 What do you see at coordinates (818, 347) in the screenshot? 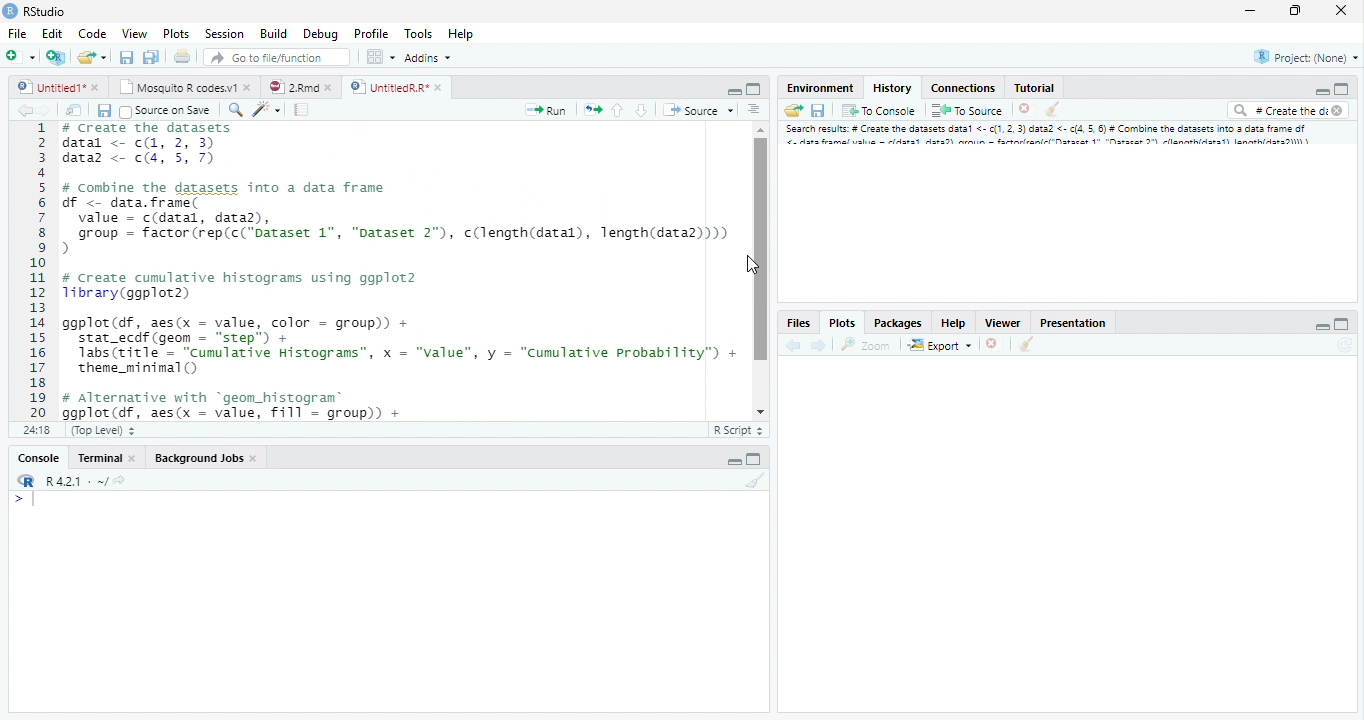
I see `Next` at bounding box center [818, 347].